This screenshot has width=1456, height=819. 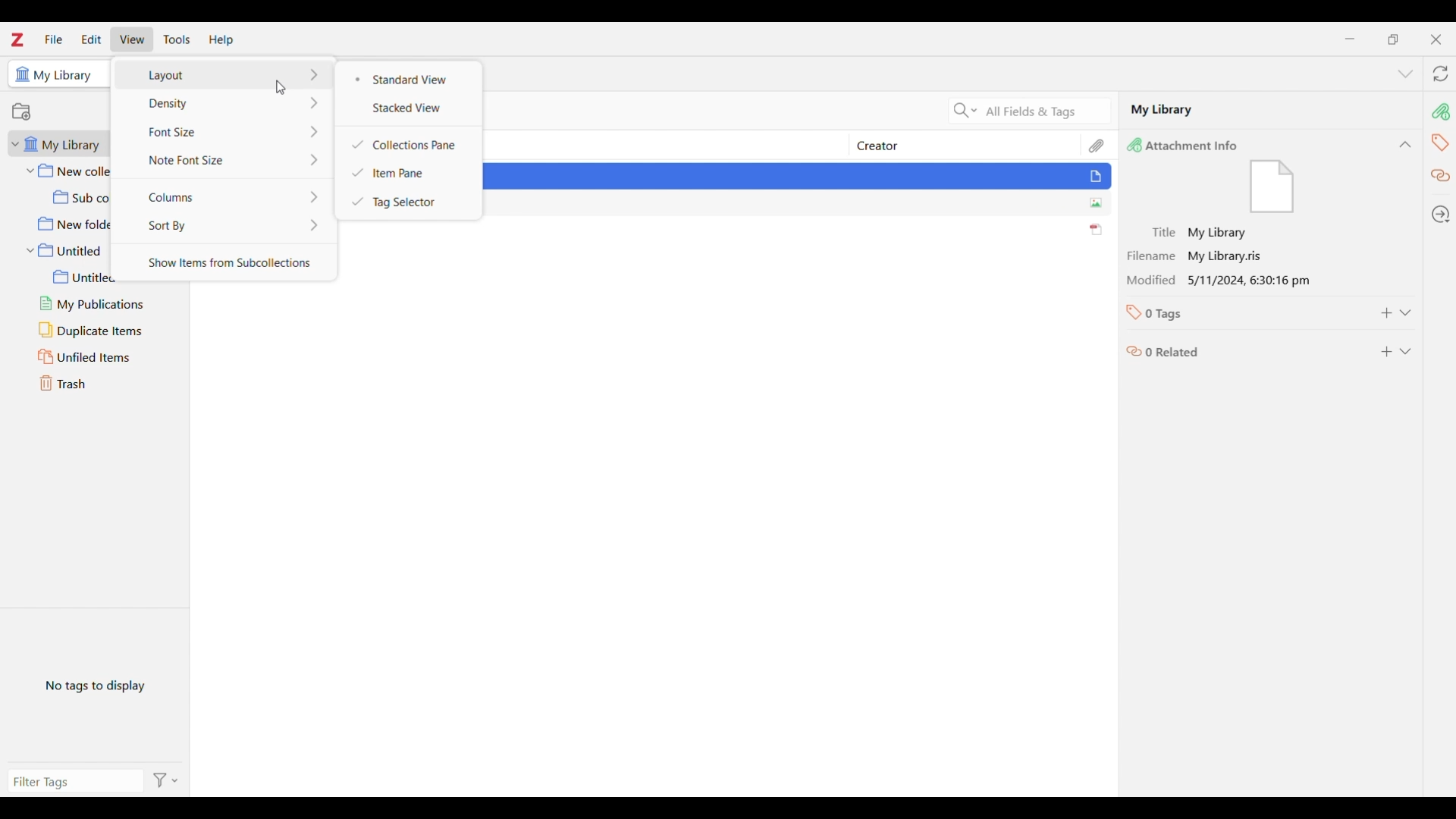 What do you see at coordinates (1046, 111) in the screenshot?
I see `Selected search criteria` at bounding box center [1046, 111].